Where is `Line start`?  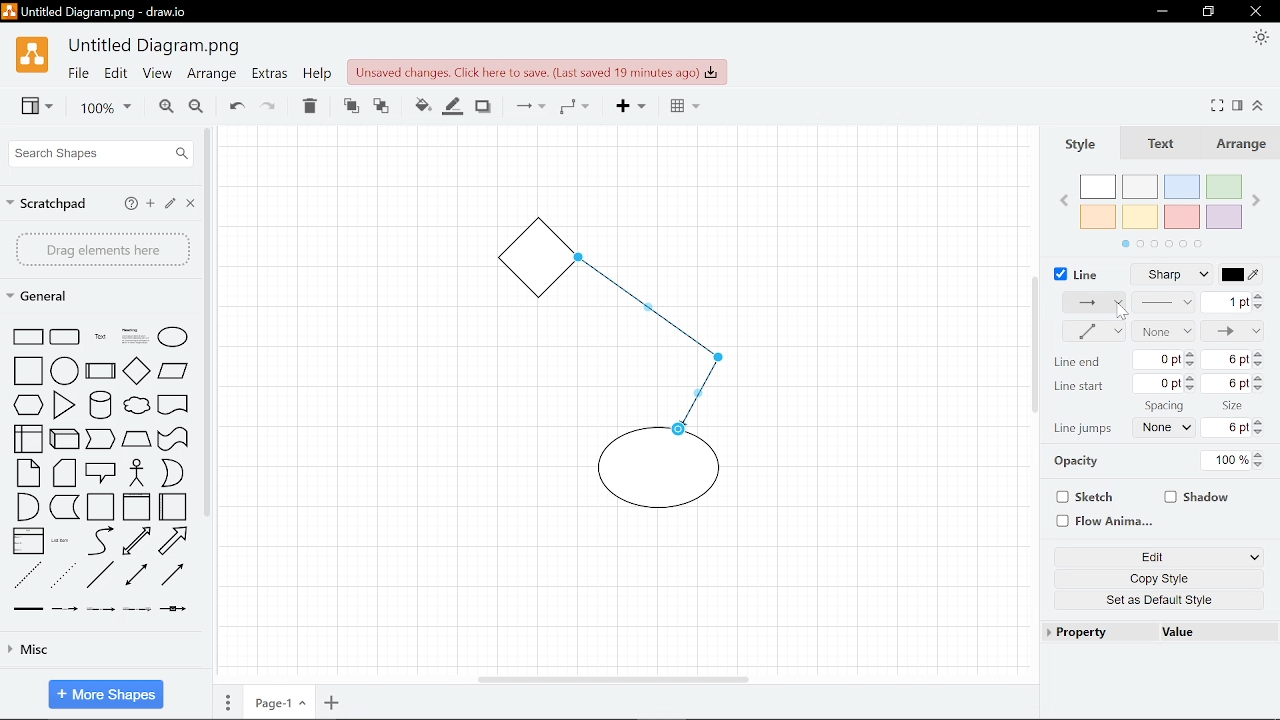 Line start is located at coordinates (1164, 331).